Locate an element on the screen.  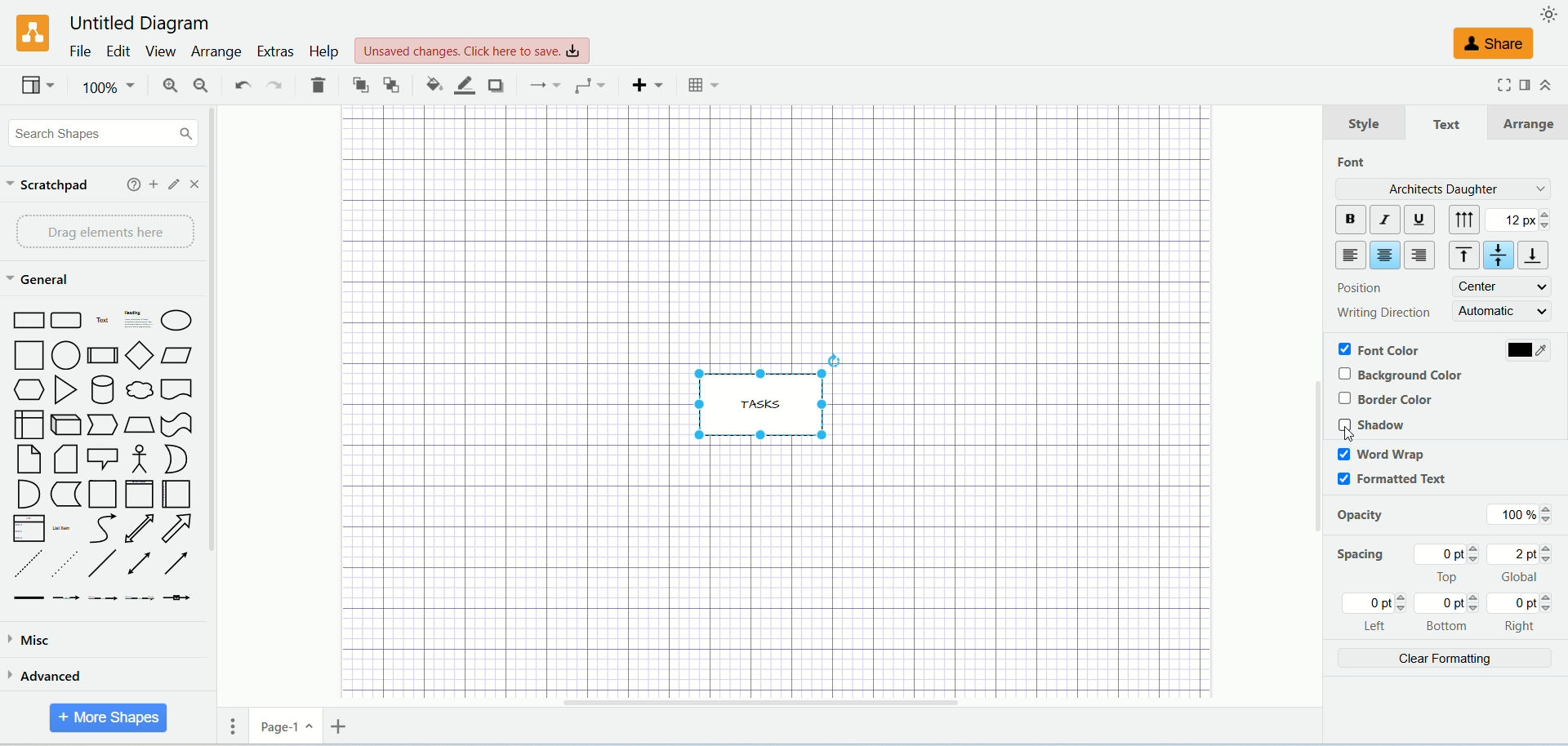
Container is located at coordinates (102, 494).